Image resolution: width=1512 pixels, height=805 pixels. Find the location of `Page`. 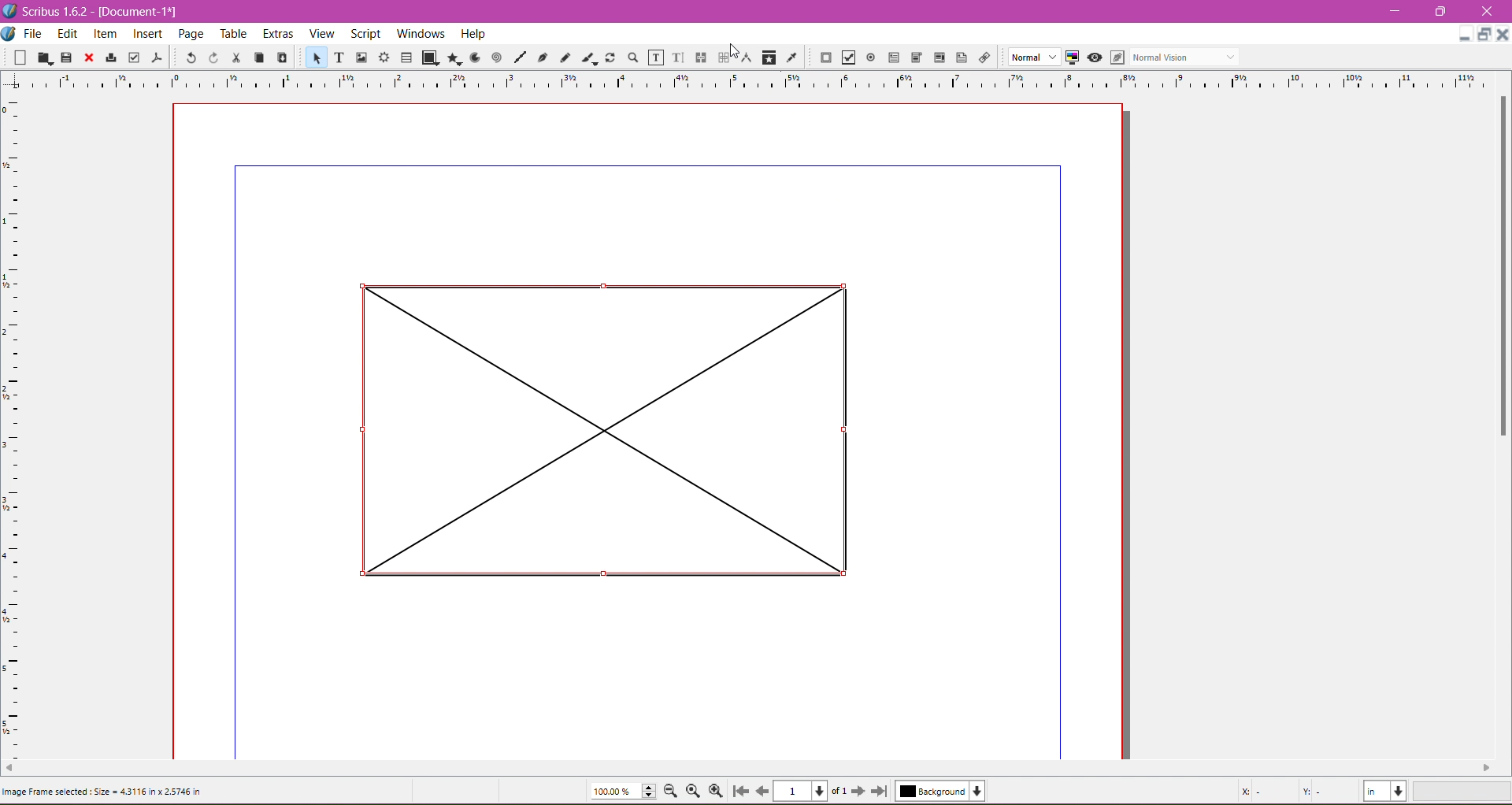

Page is located at coordinates (193, 35).